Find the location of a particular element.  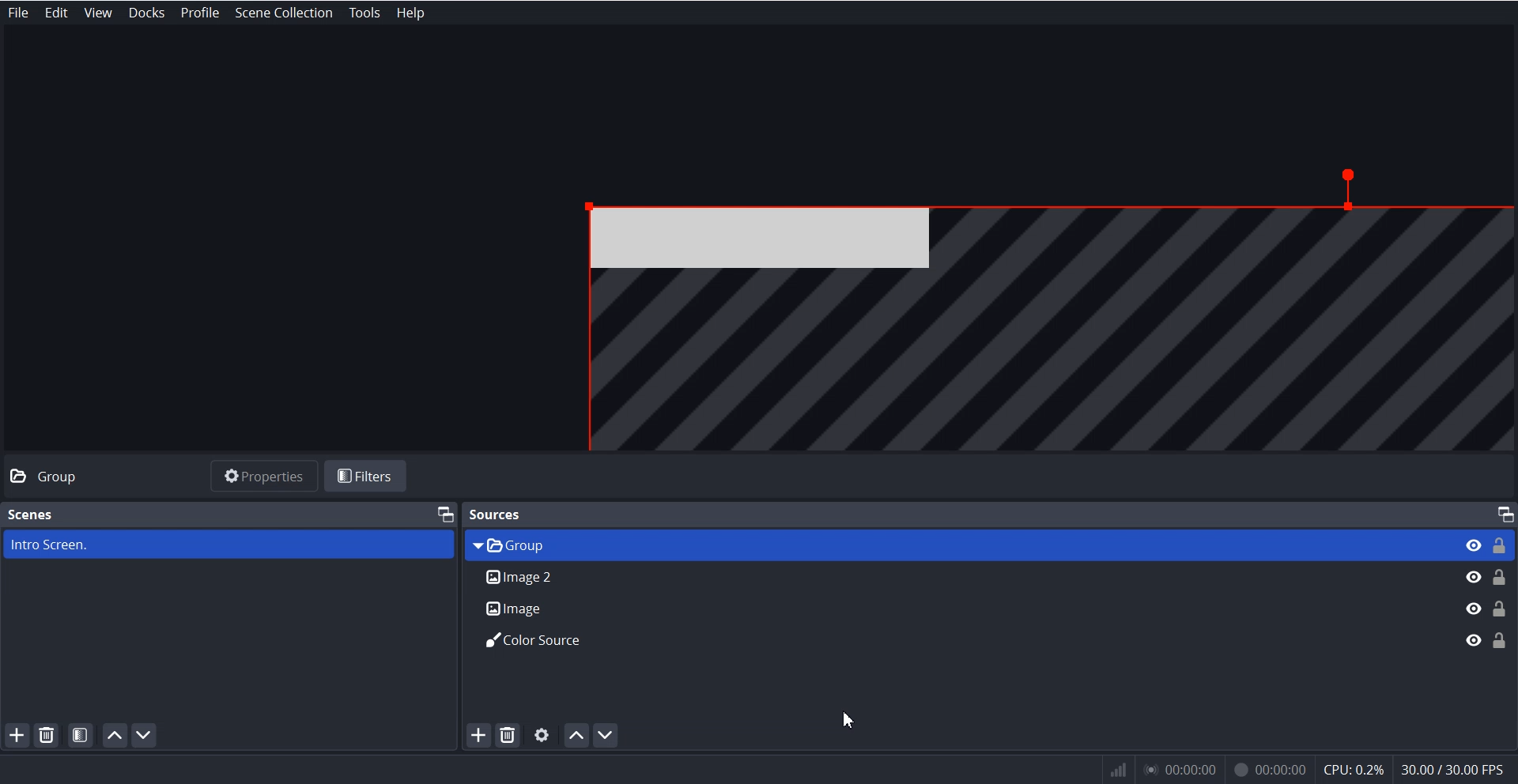

network is located at coordinates (1116, 770).